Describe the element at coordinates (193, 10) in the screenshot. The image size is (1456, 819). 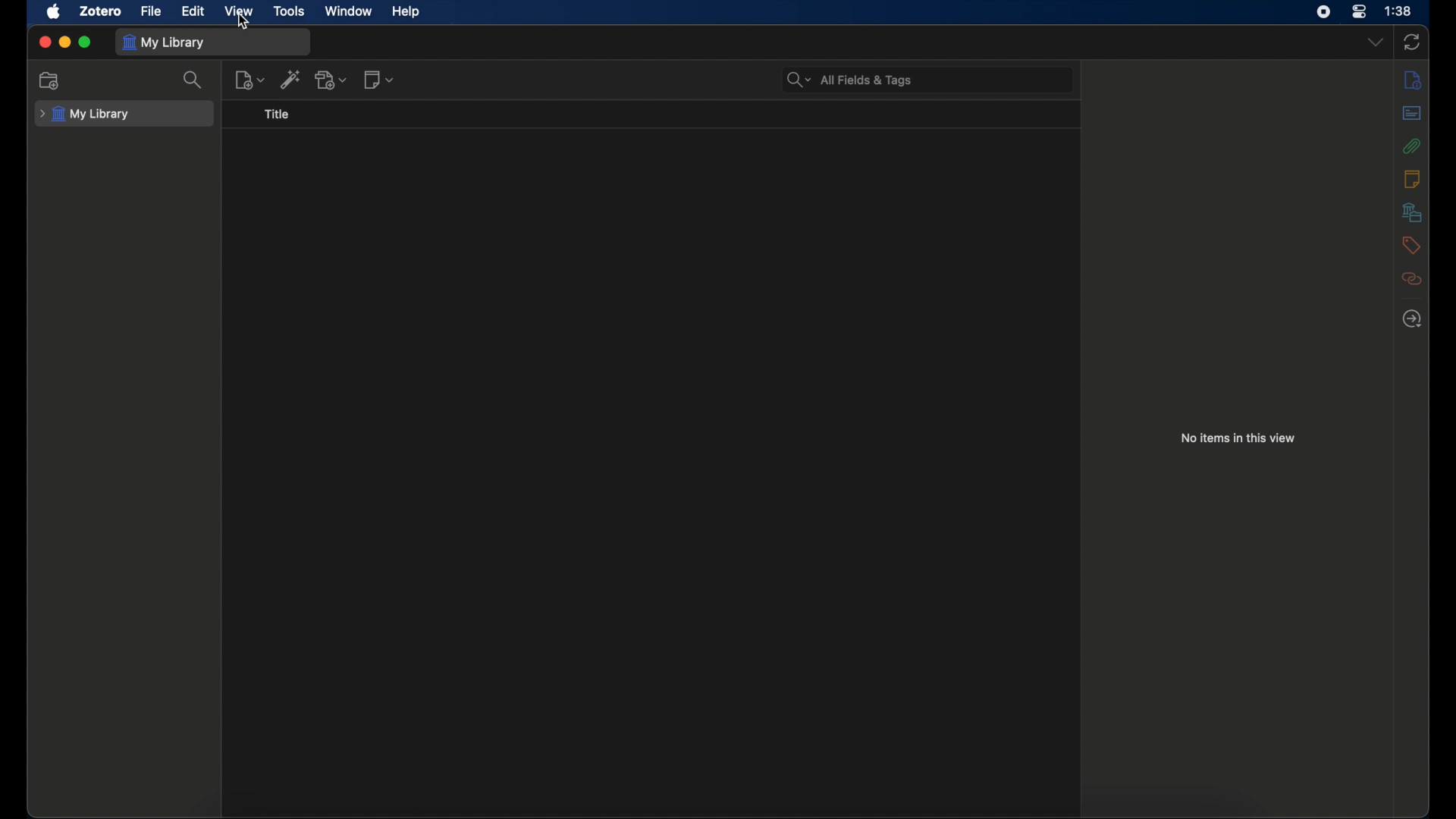
I see `edit` at that location.